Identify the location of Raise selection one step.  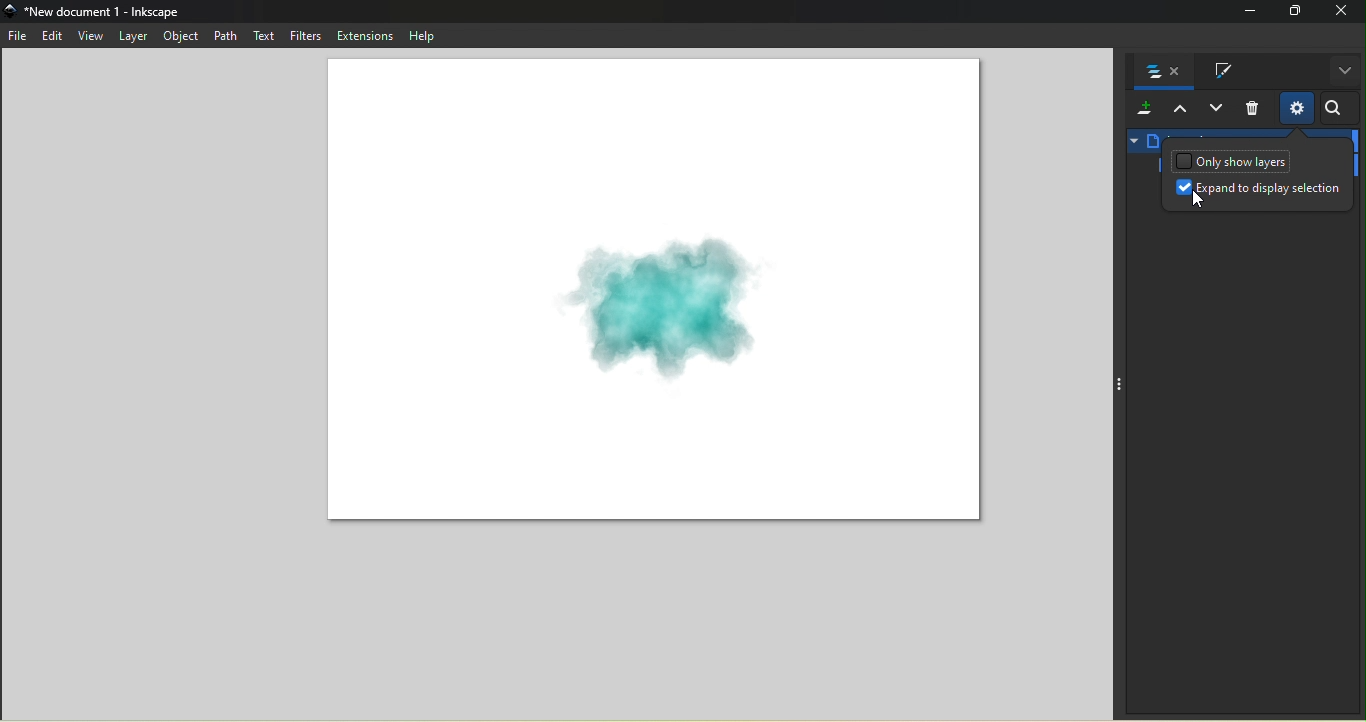
(1180, 110).